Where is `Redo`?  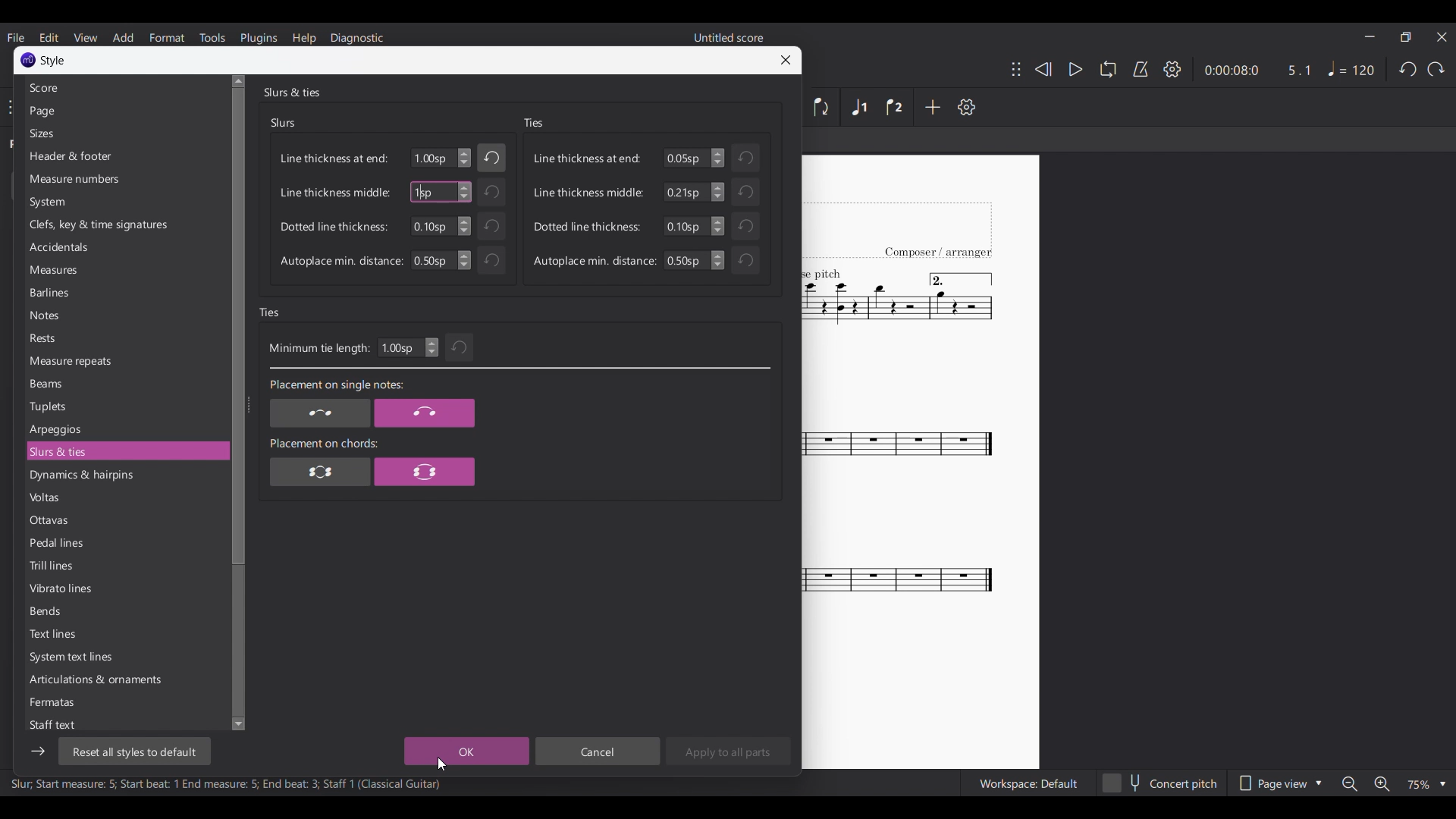
Redo is located at coordinates (1436, 69).